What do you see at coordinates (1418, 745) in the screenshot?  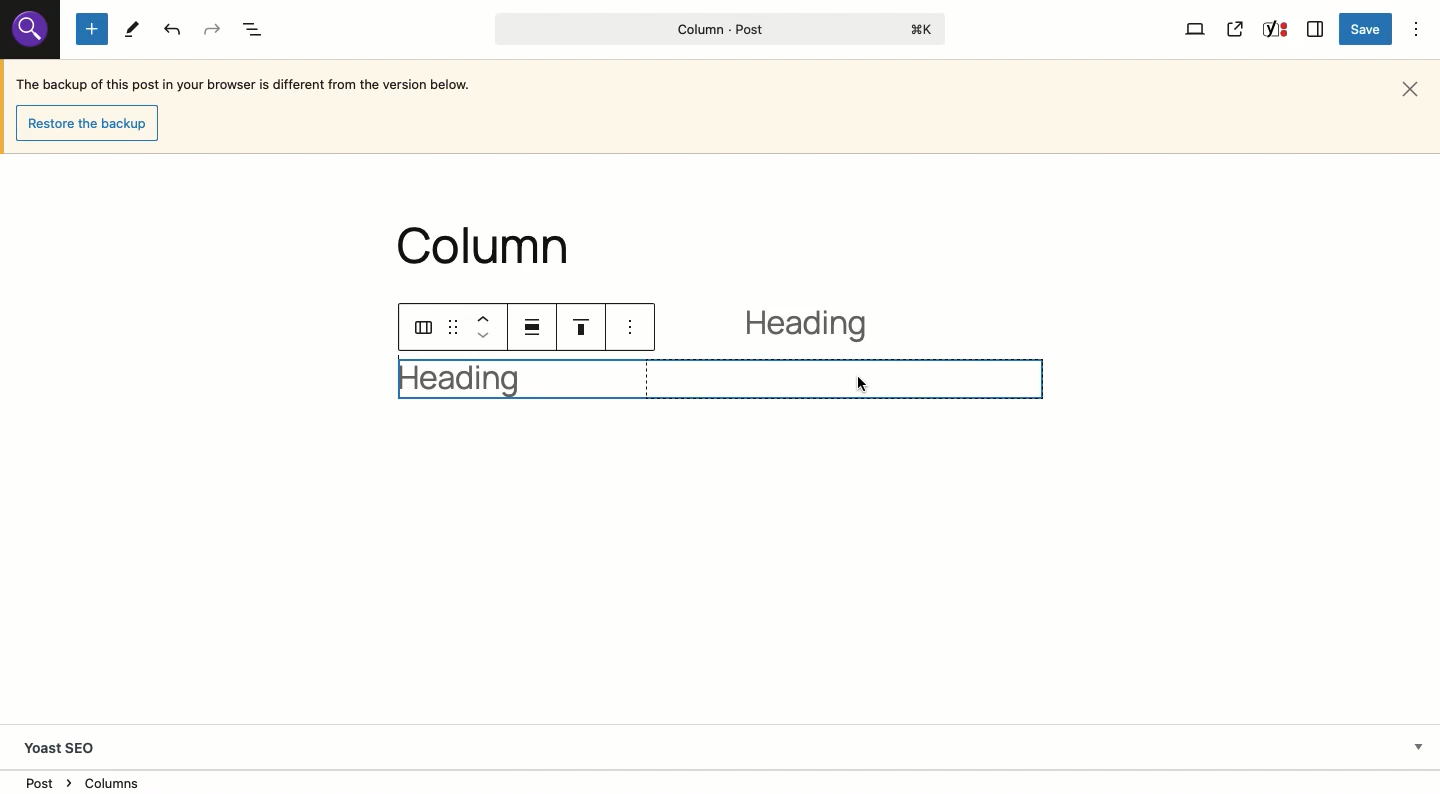 I see `Hide` at bounding box center [1418, 745].